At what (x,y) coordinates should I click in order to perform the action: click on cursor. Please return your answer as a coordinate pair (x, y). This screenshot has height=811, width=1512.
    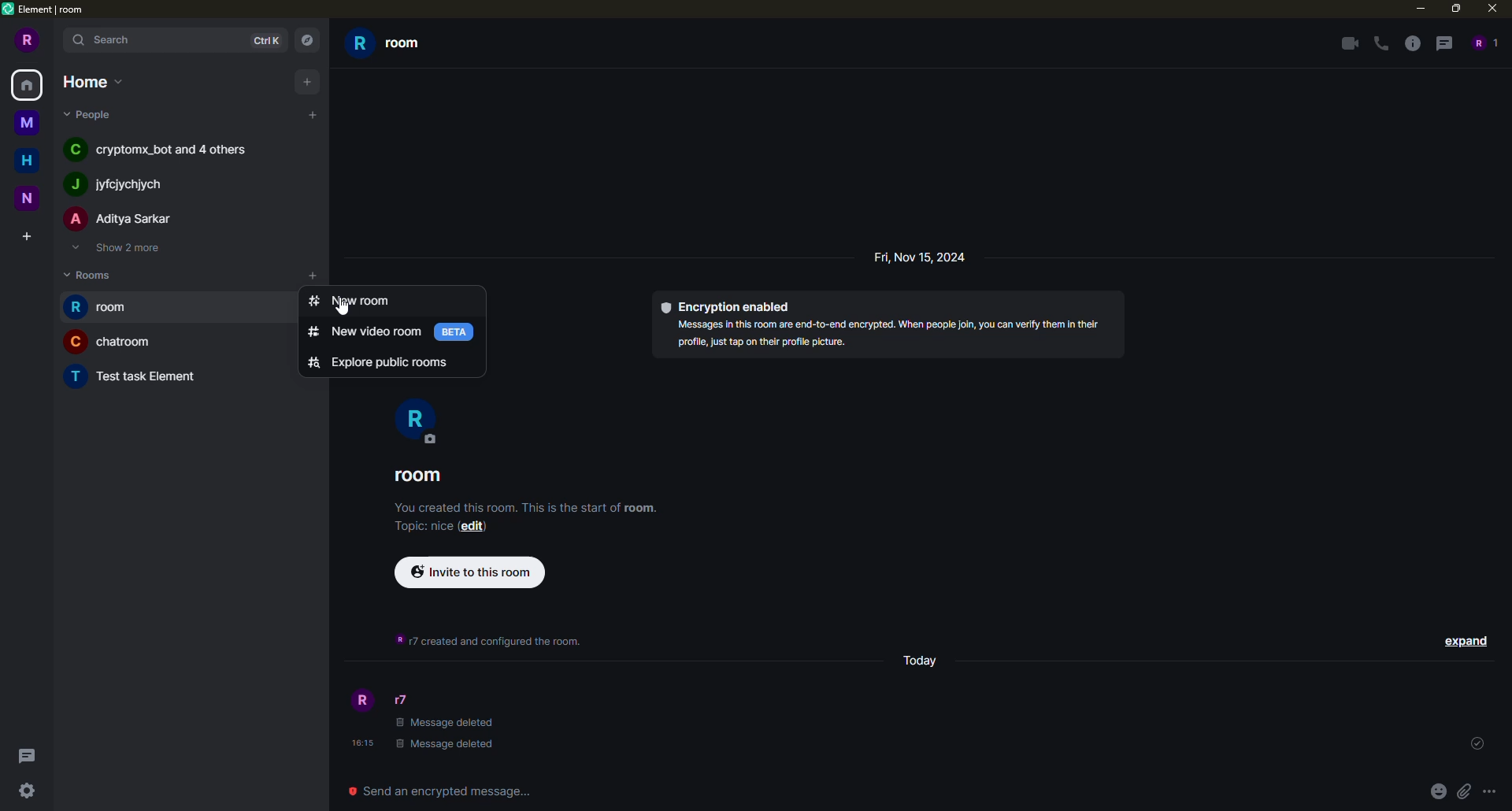
    Looking at the image, I should click on (345, 306).